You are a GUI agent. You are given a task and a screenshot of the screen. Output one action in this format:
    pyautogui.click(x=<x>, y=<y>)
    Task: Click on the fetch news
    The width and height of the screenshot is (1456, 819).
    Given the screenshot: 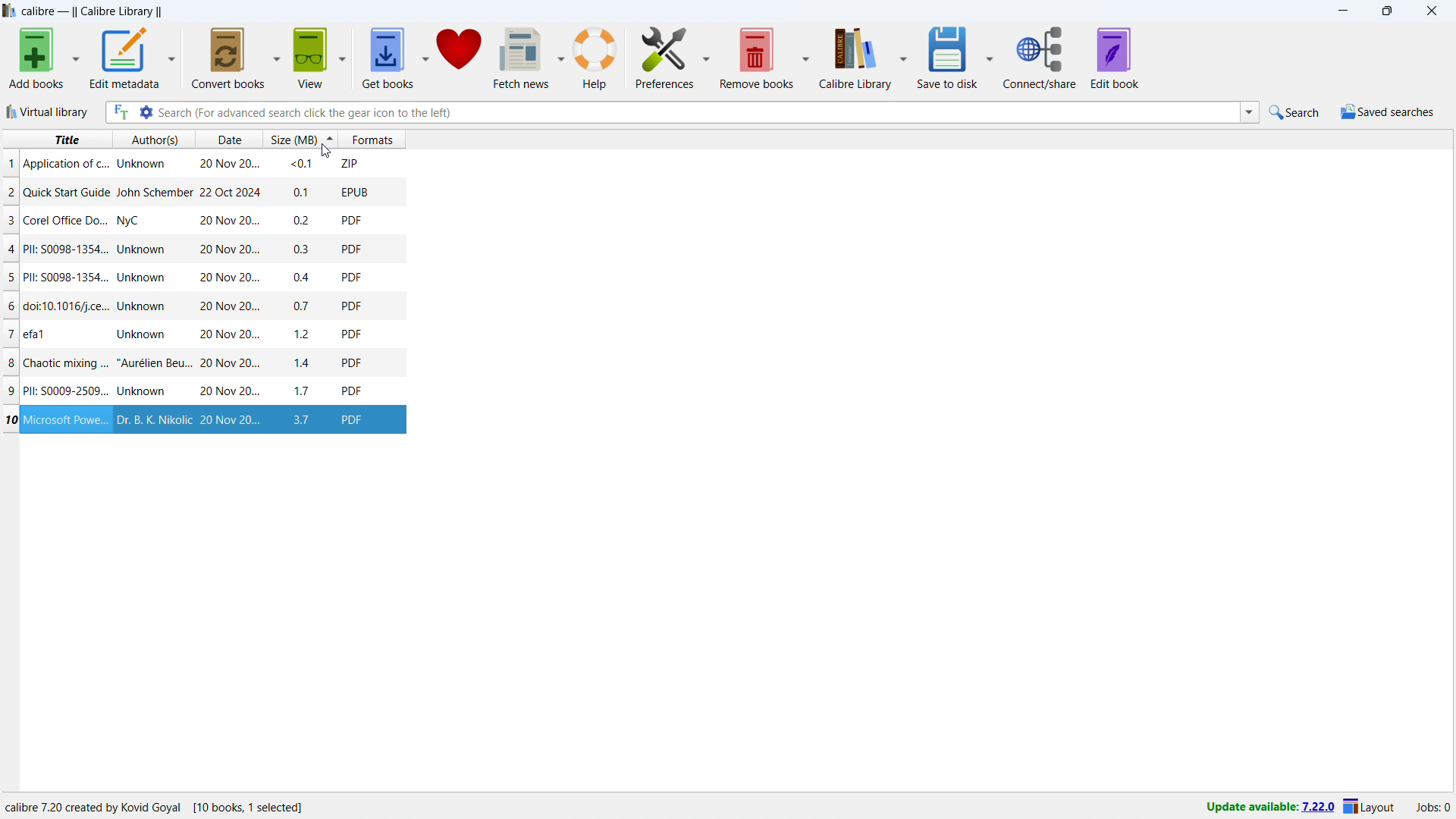 What is the action you would take?
    pyautogui.click(x=522, y=58)
    